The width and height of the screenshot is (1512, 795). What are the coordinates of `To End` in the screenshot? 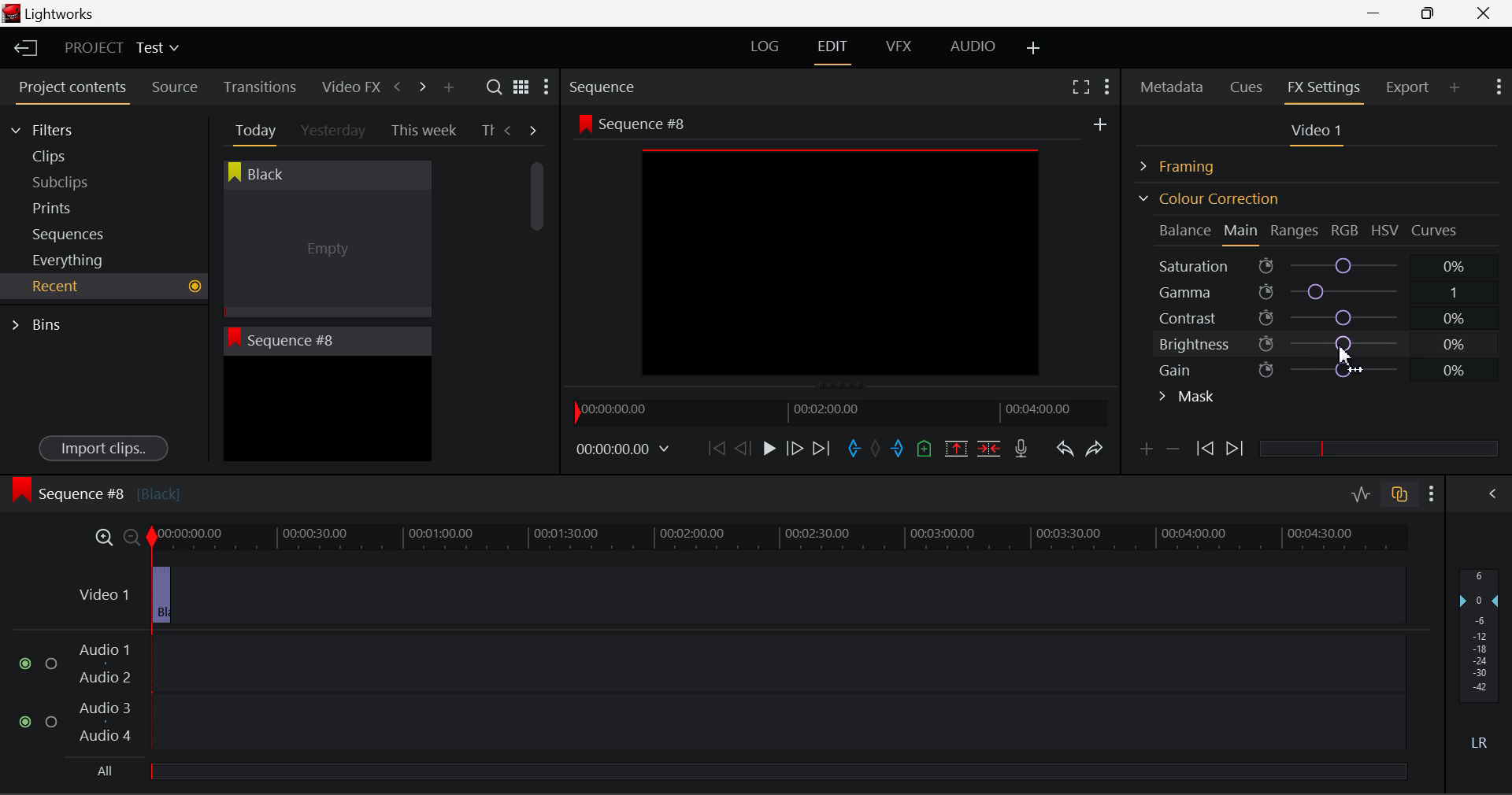 It's located at (821, 449).